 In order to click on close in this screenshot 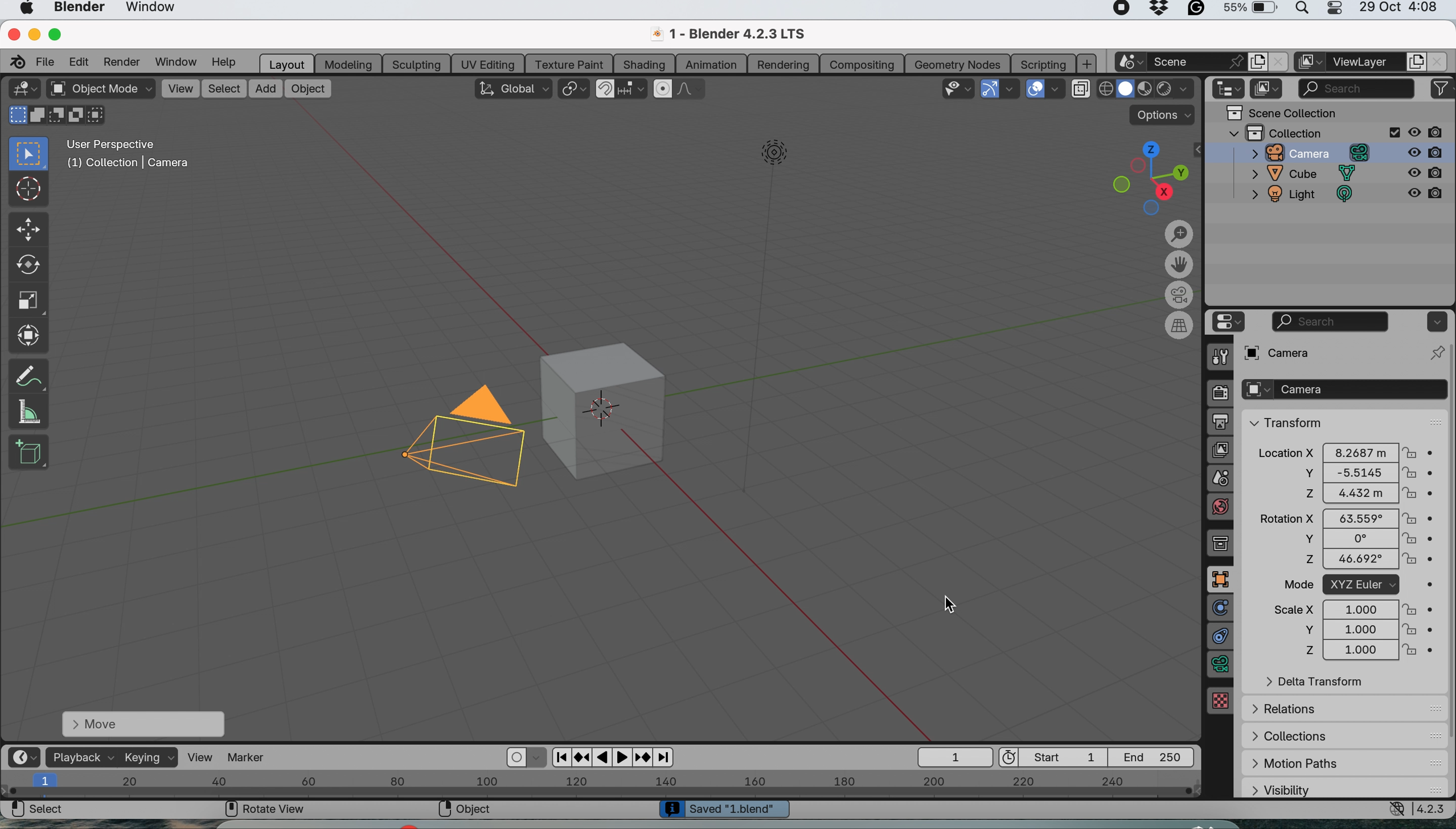, I will do `click(1439, 61)`.